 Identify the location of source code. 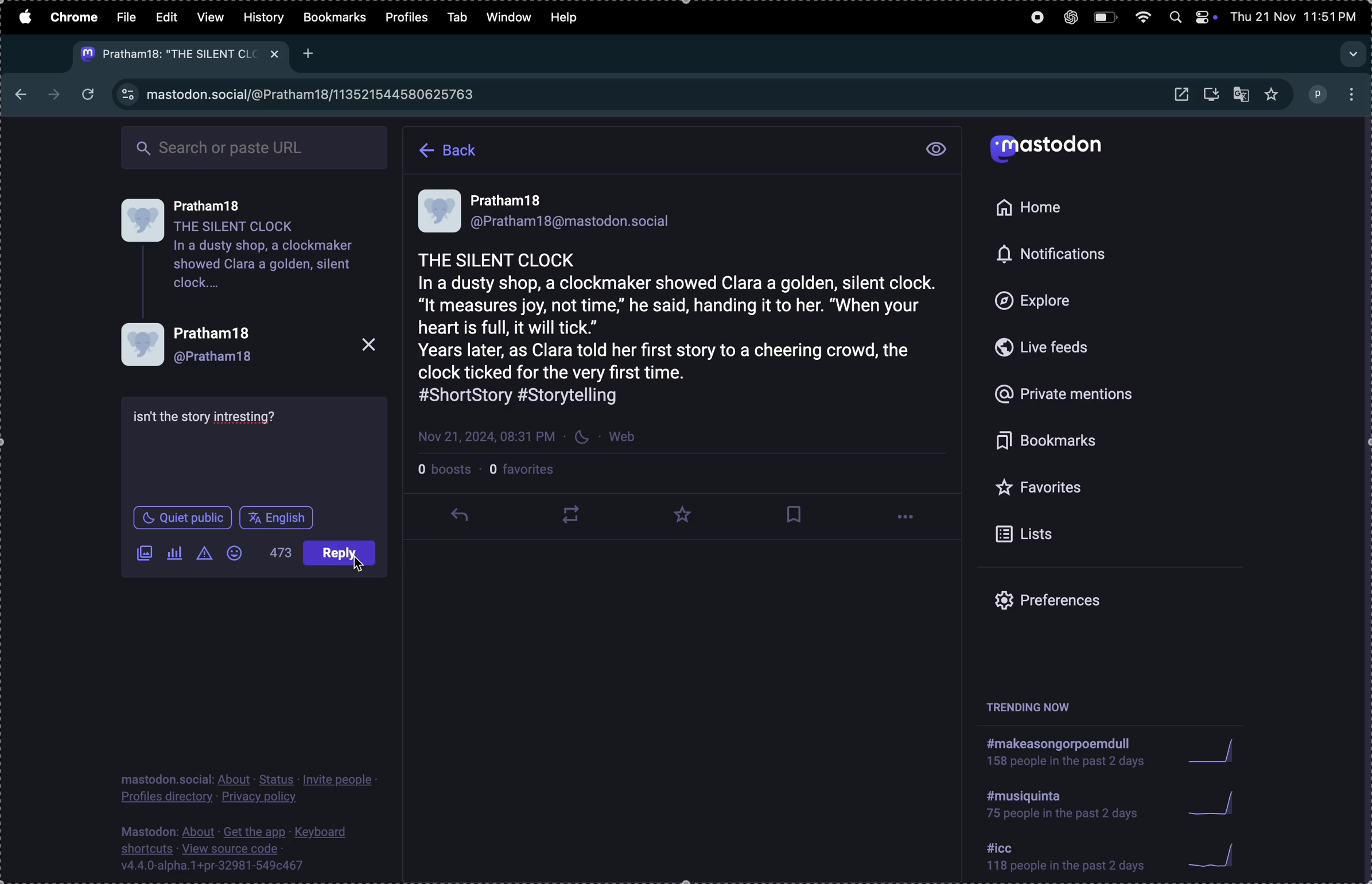
(247, 847).